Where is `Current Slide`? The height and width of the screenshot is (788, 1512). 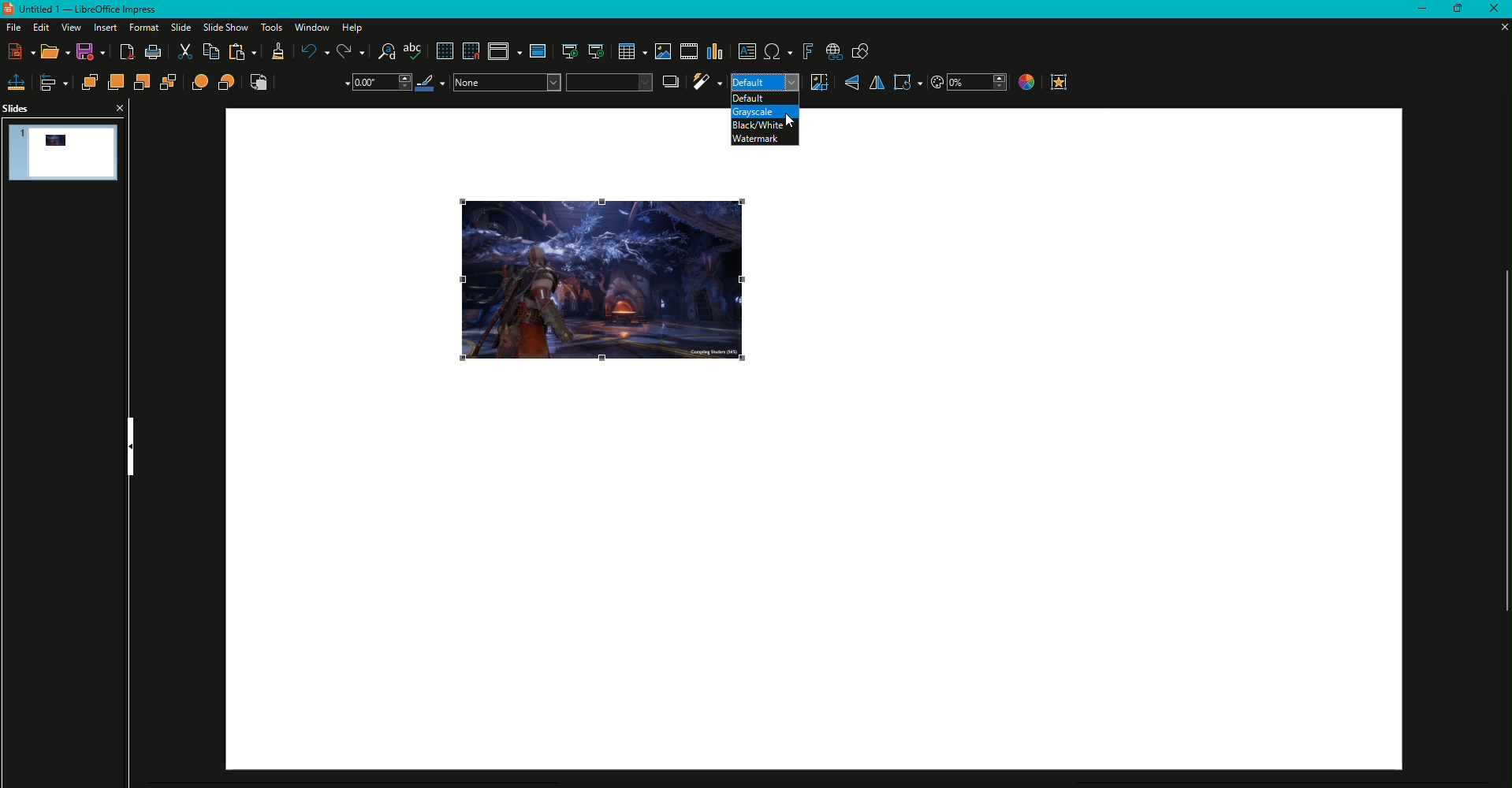 Current Slide is located at coordinates (596, 52).